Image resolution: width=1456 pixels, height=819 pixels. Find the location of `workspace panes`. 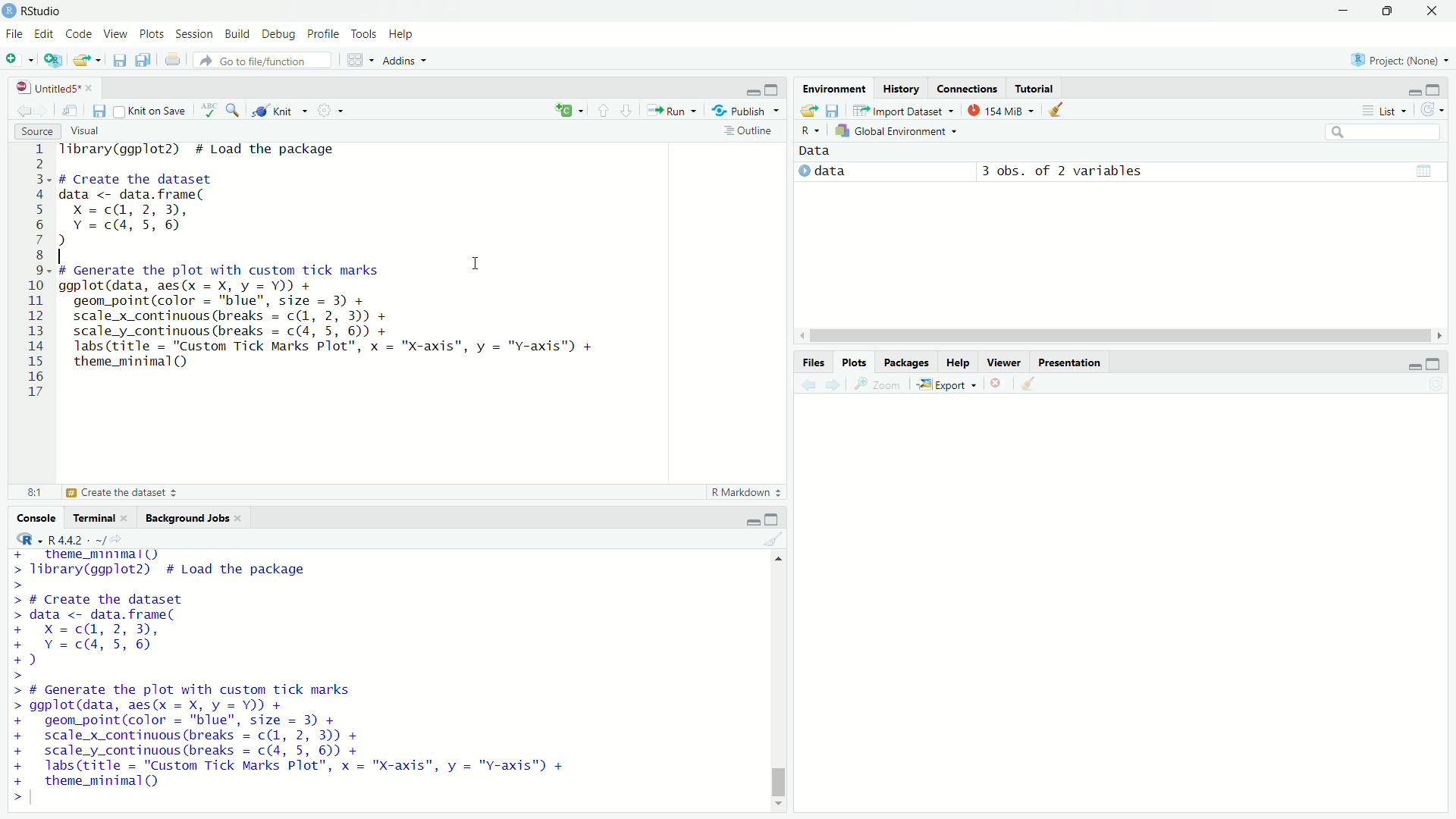

workspace panes is located at coordinates (359, 61).